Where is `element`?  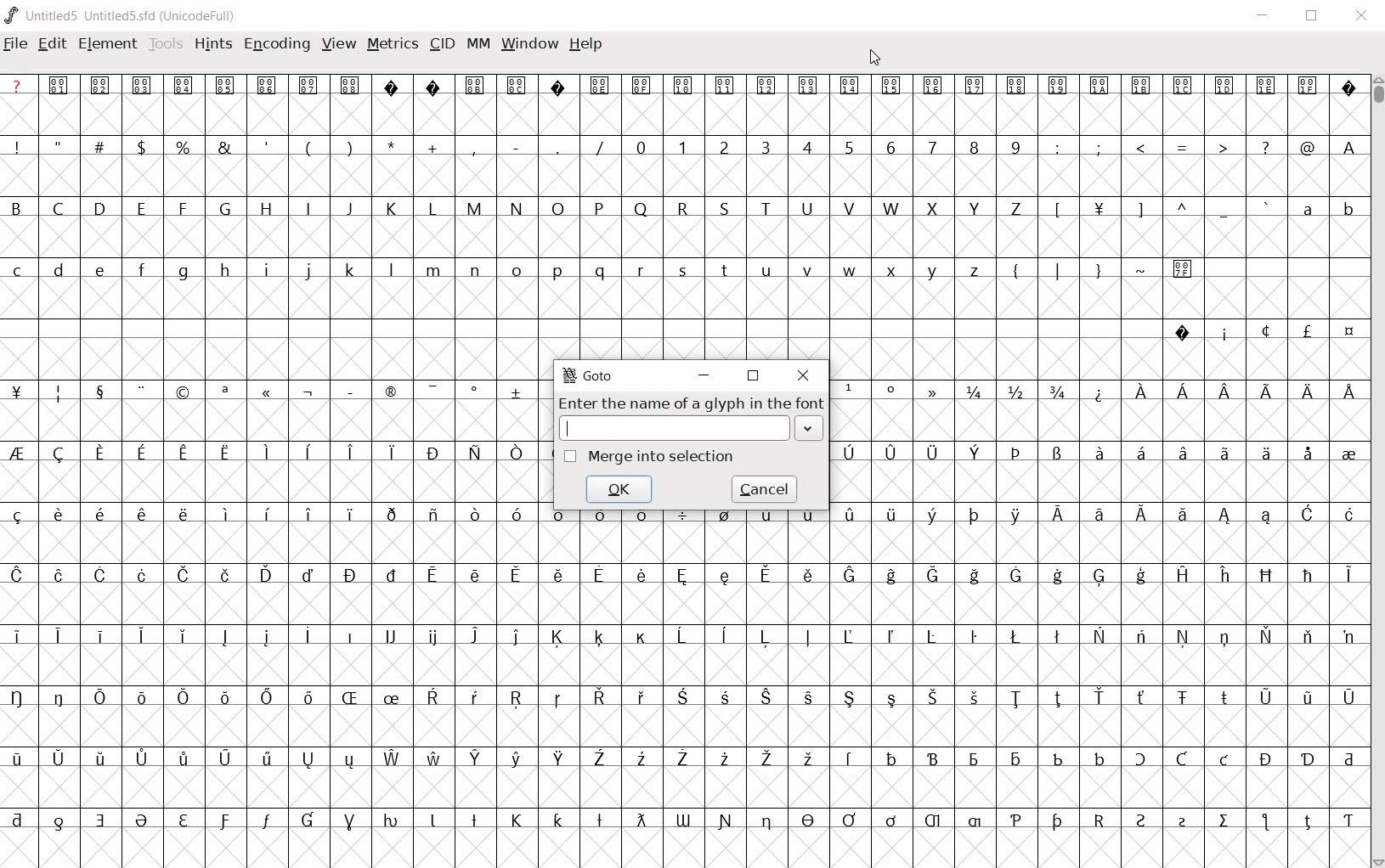
element is located at coordinates (109, 44).